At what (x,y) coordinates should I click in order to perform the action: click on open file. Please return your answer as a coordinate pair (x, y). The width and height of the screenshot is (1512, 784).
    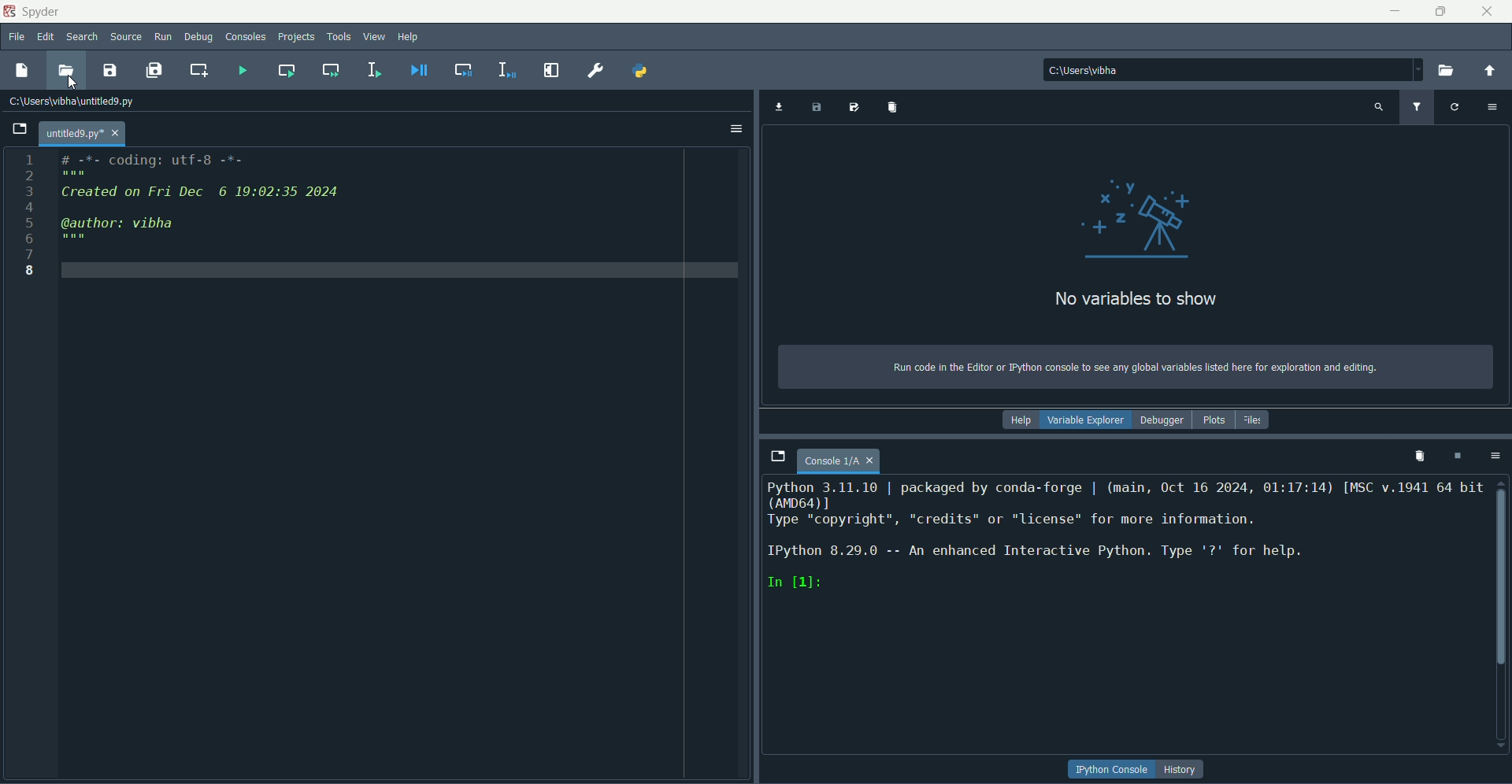
    Looking at the image, I should click on (68, 66).